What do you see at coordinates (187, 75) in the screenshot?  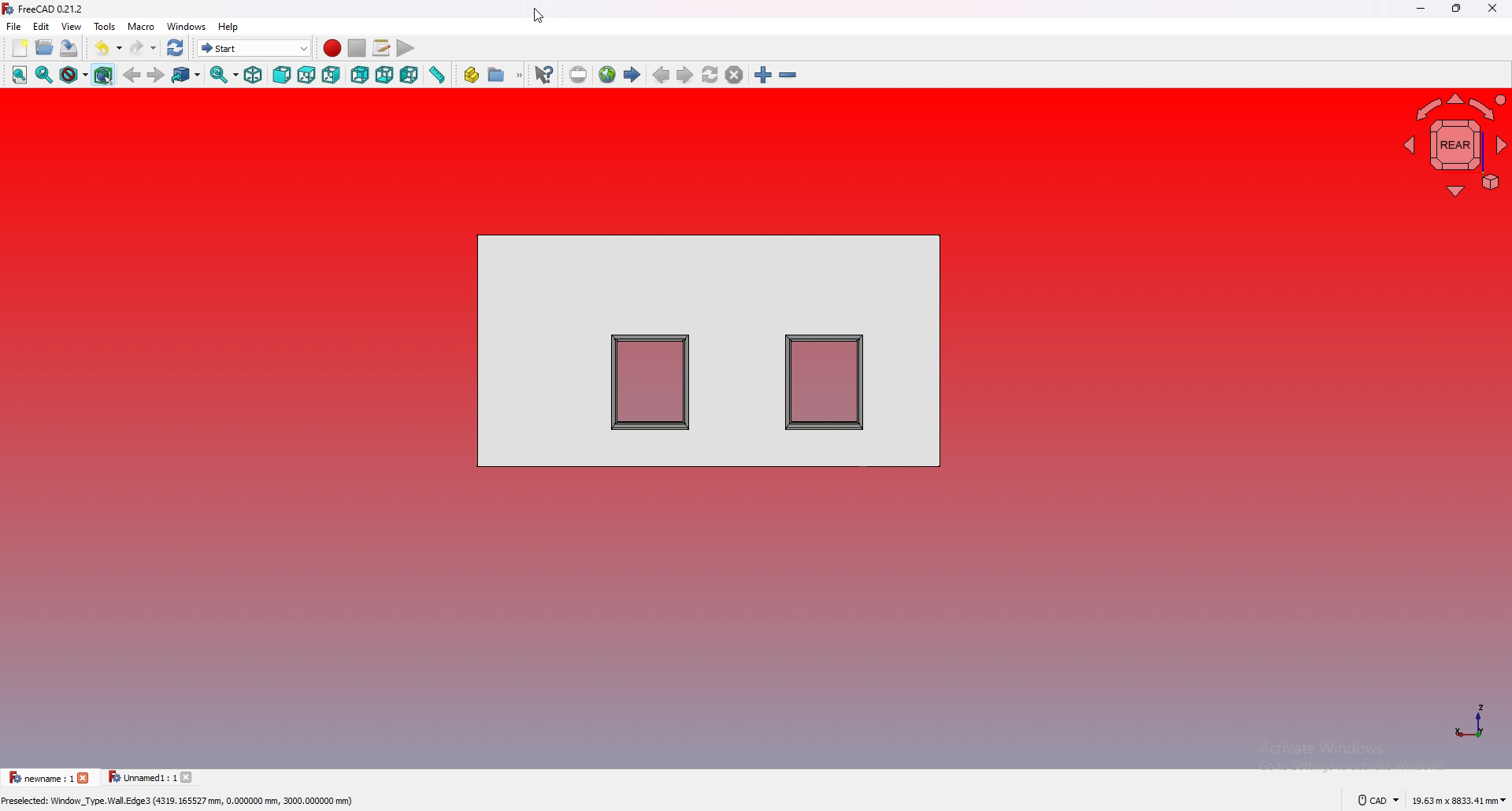 I see `go to linked object` at bounding box center [187, 75].